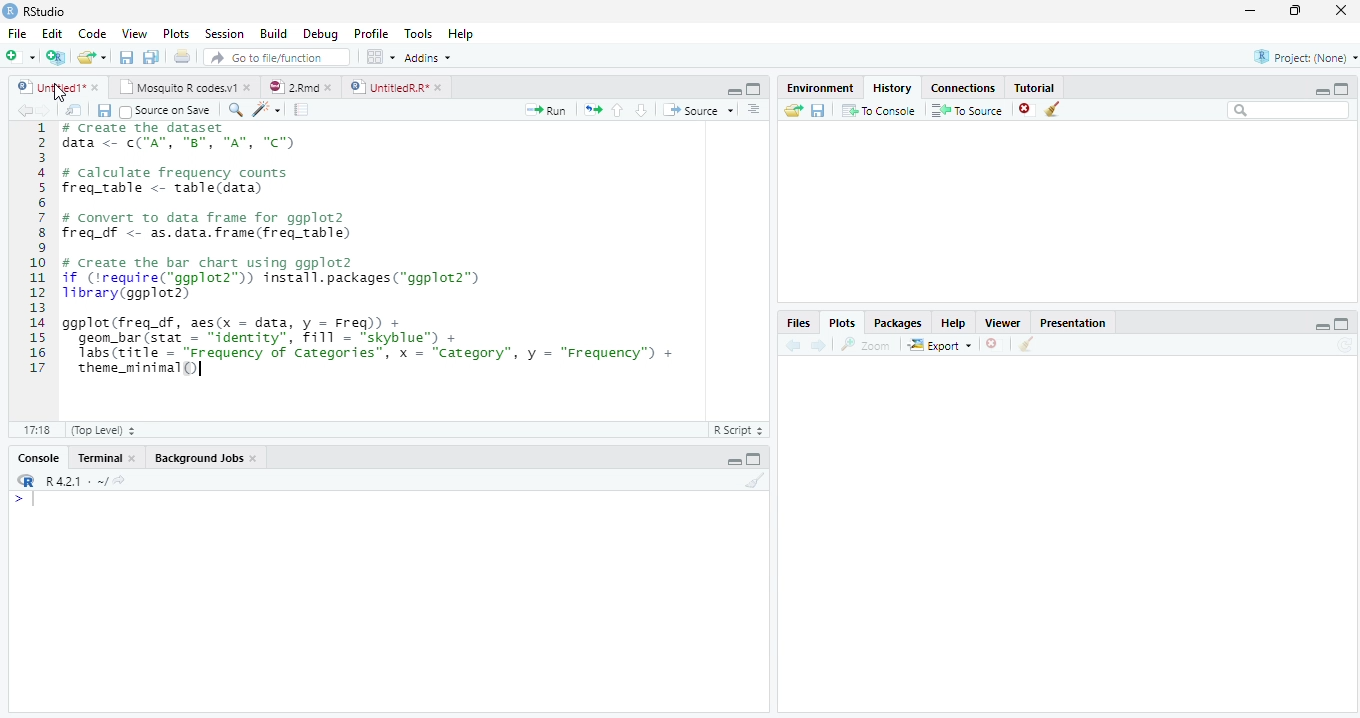 This screenshot has height=718, width=1360. What do you see at coordinates (756, 461) in the screenshot?
I see `Maximize` at bounding box center [756, 461].